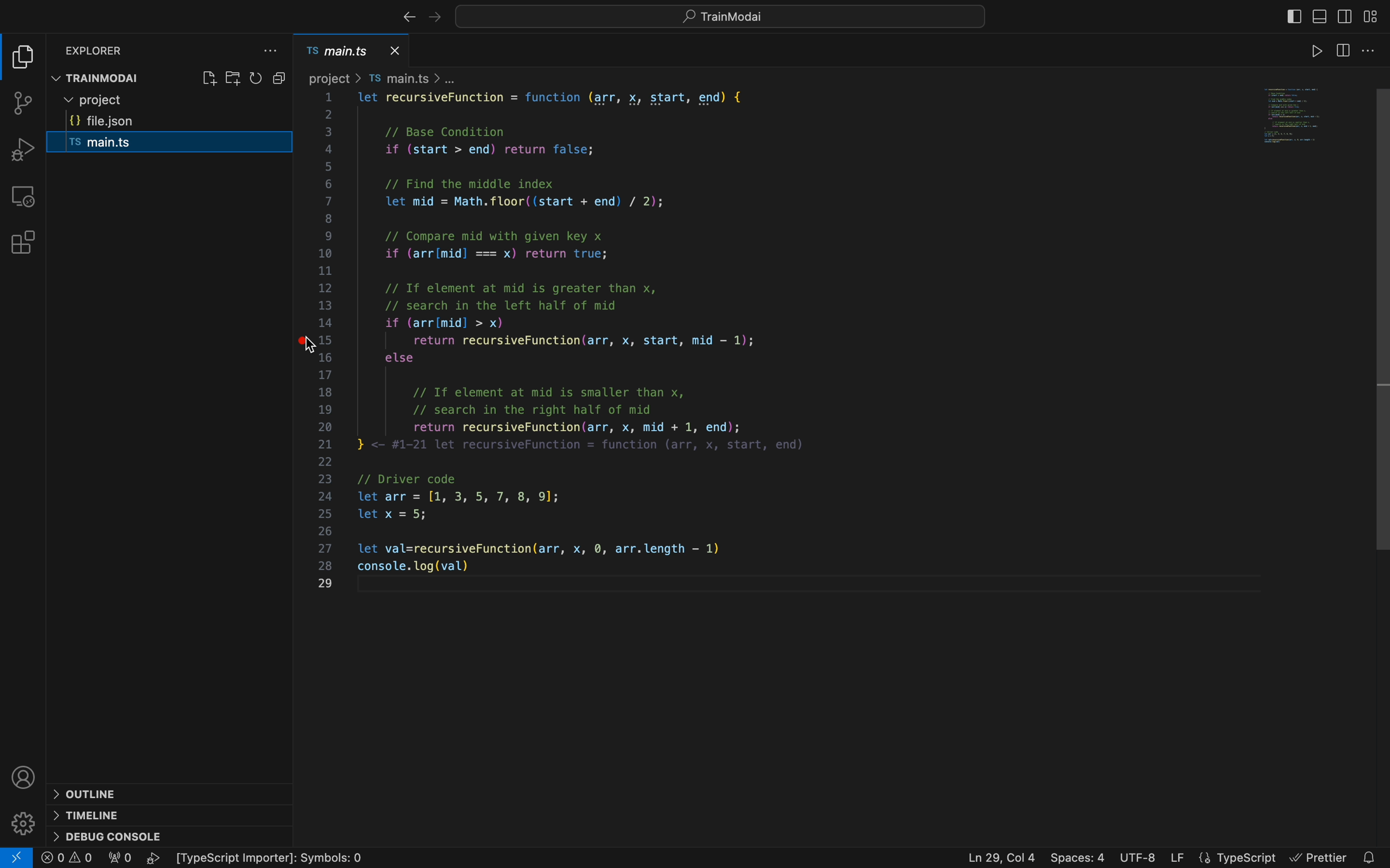  I want to click on trainmodal, so click(111, 77).